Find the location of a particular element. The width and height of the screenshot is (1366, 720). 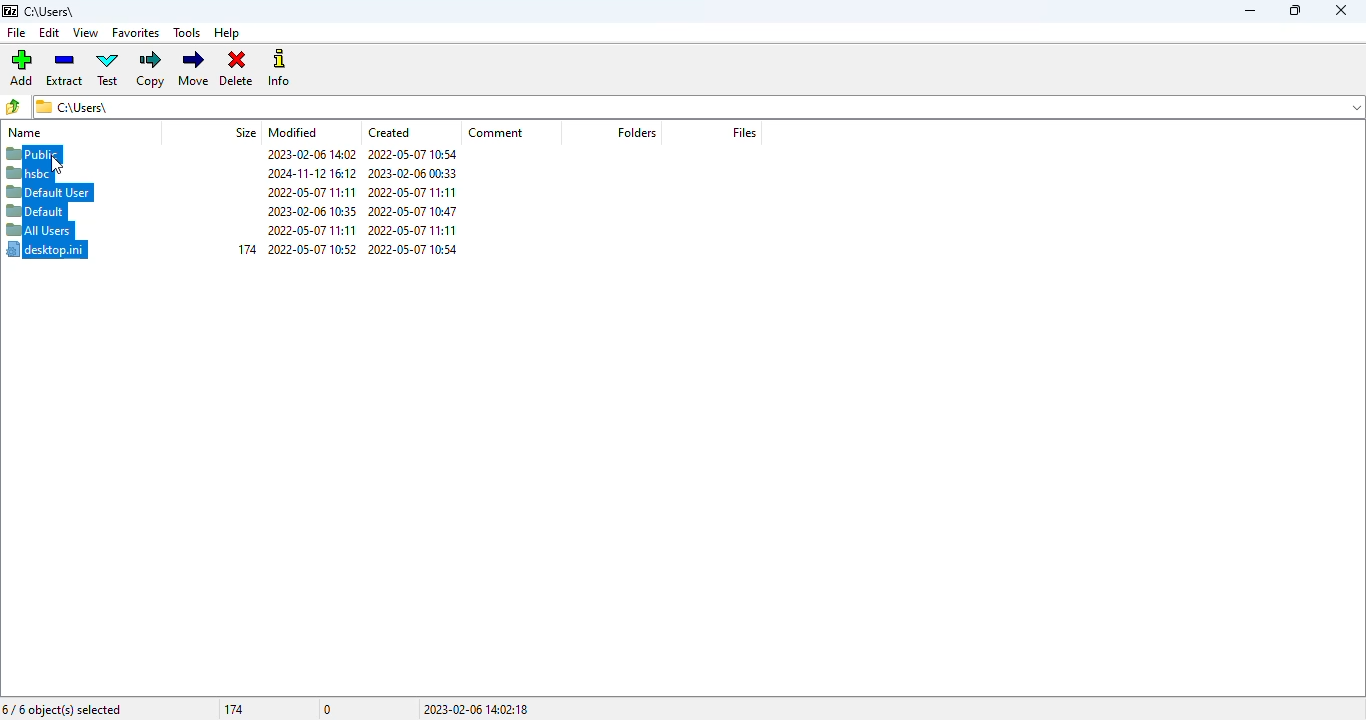

2022-05-07 11:11 is located at coordinates (305, 192).